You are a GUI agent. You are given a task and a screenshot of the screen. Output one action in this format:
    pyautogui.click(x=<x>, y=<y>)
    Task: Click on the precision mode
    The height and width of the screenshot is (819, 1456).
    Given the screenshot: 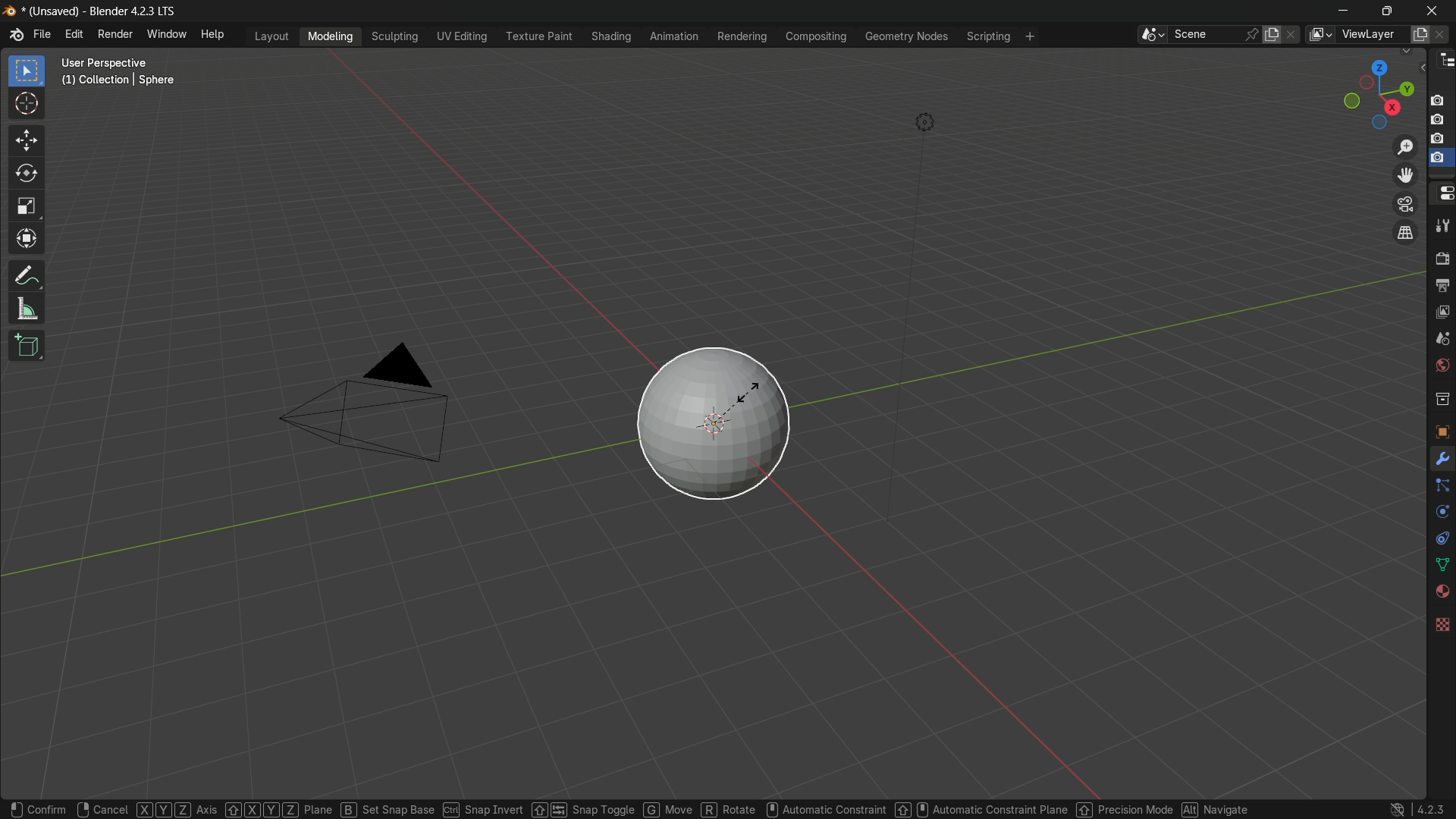 What is the action you would take?
    pyautogui.click(x=1123, y=810)
    